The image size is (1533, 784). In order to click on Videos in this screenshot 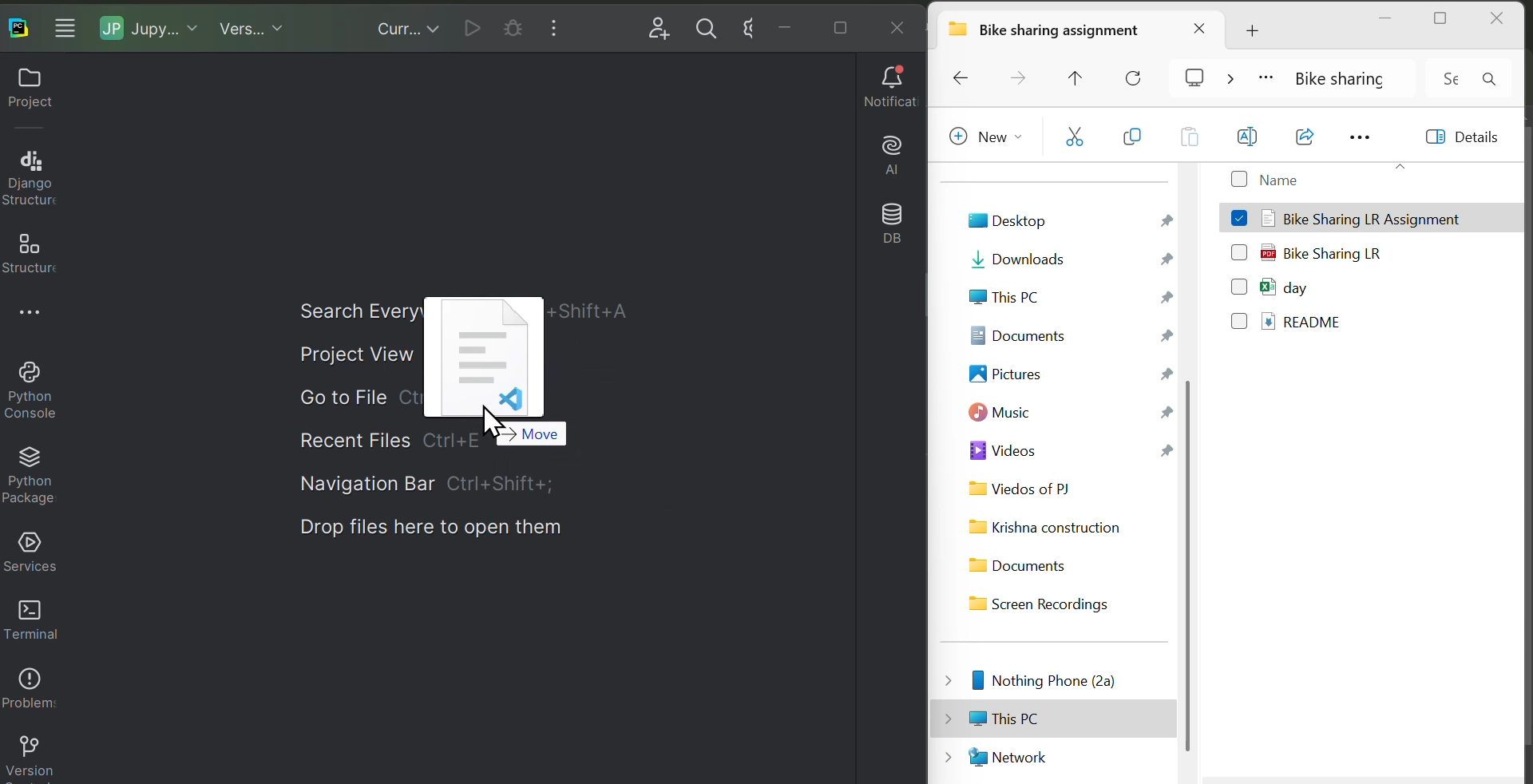, I will do `click(1068, 451)`.